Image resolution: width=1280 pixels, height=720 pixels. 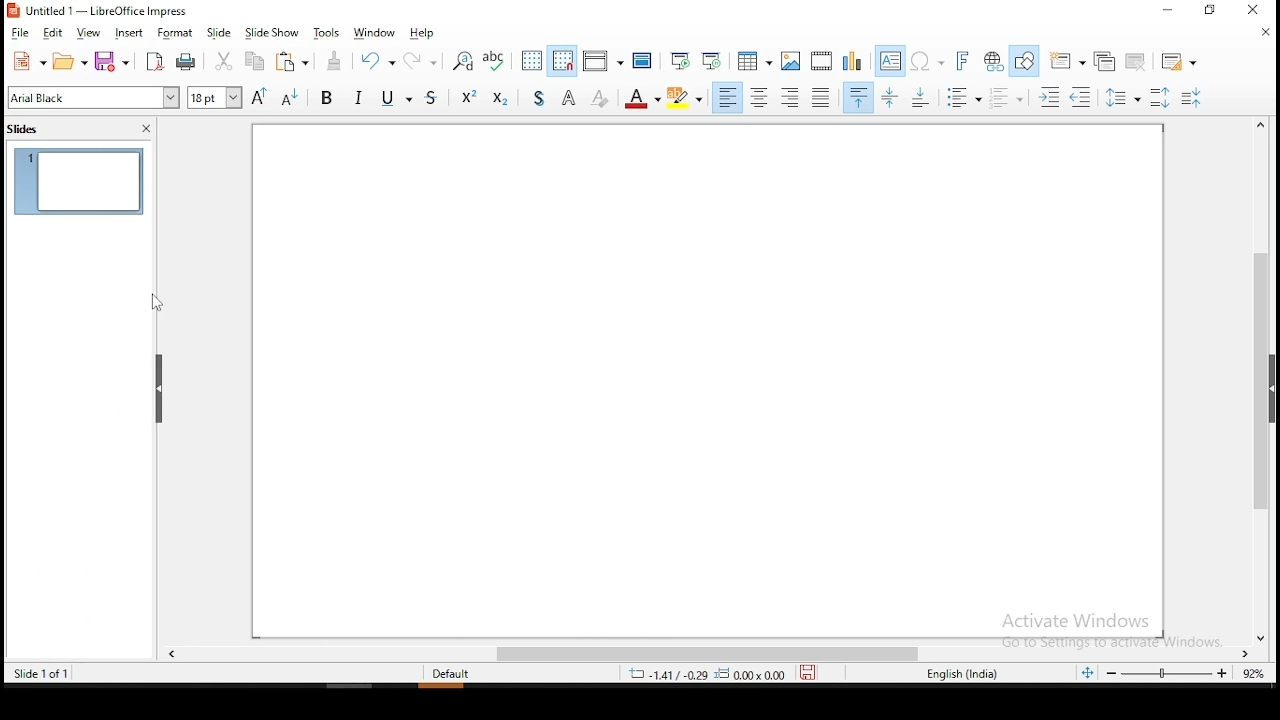 What do you see at coordinates (469, 99) in the screenshot?
I see `superscript` at bounding box center [469, 99].